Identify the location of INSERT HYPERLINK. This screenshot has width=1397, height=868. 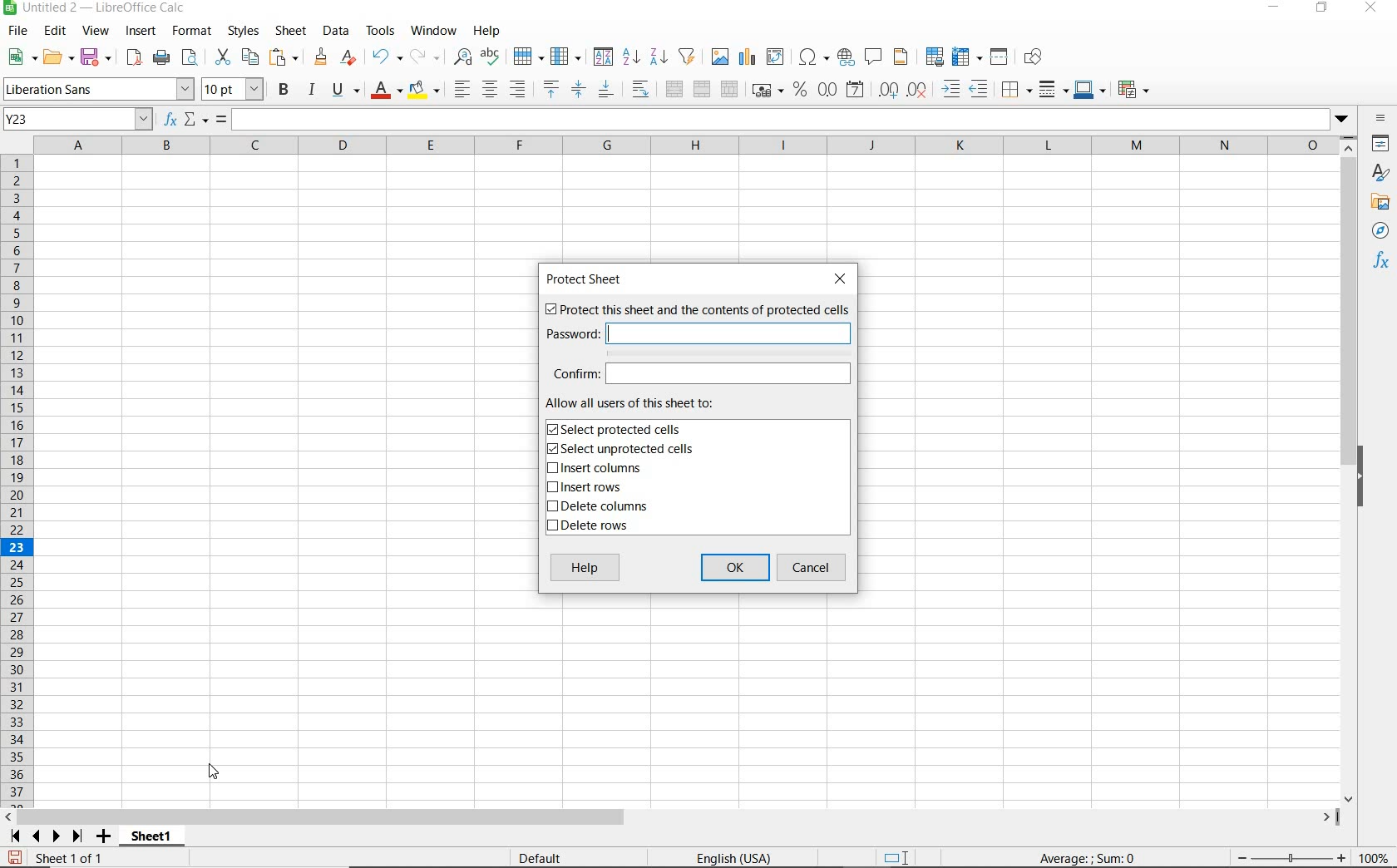
(846, 57).